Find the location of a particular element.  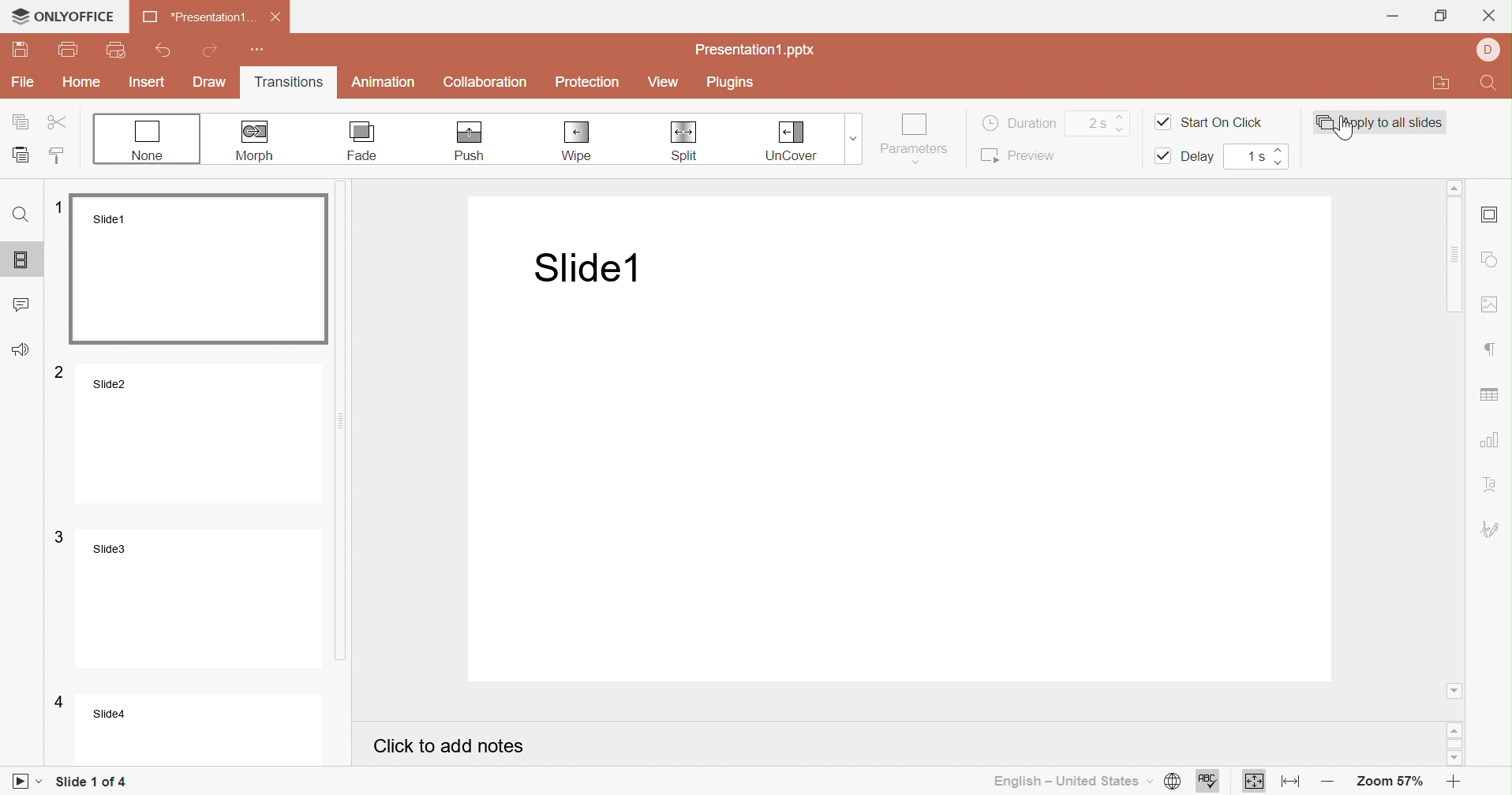

None is located at coordinates (146, 139).